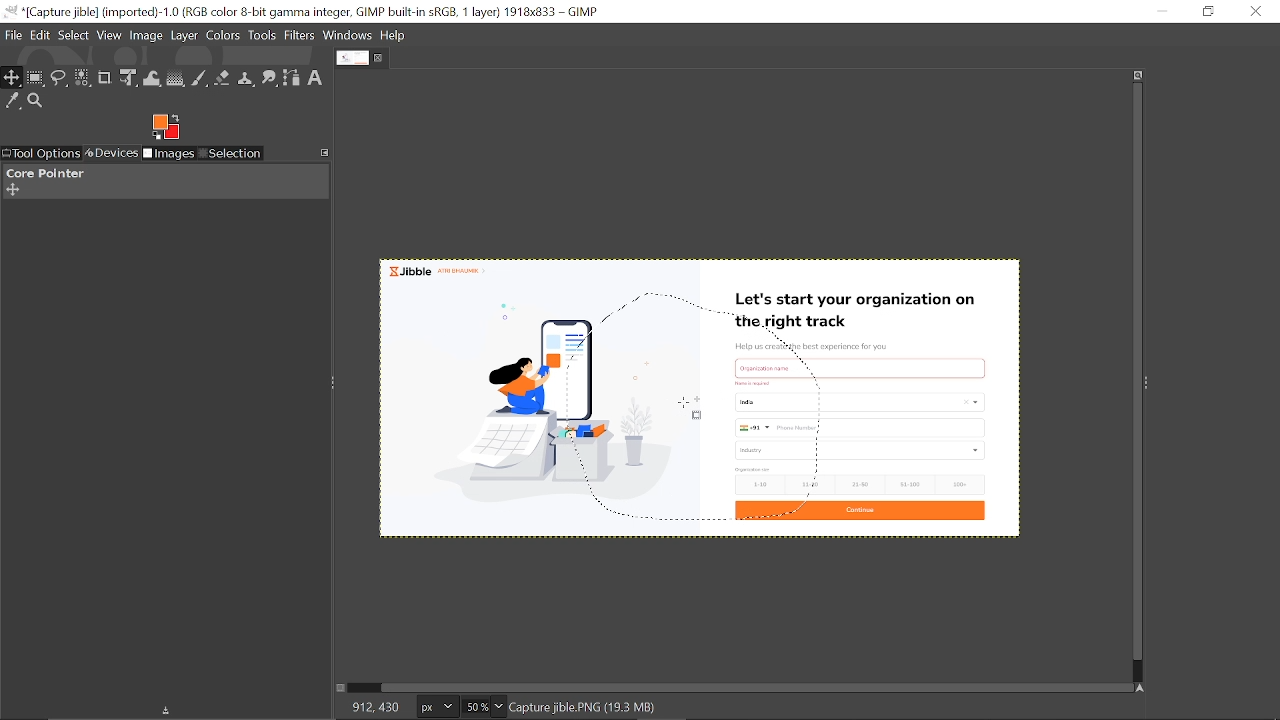 The image size is (1280, 720). Describe the element at coordinates (247, 80) in the screenshot. I see `Clone tool` at that location.